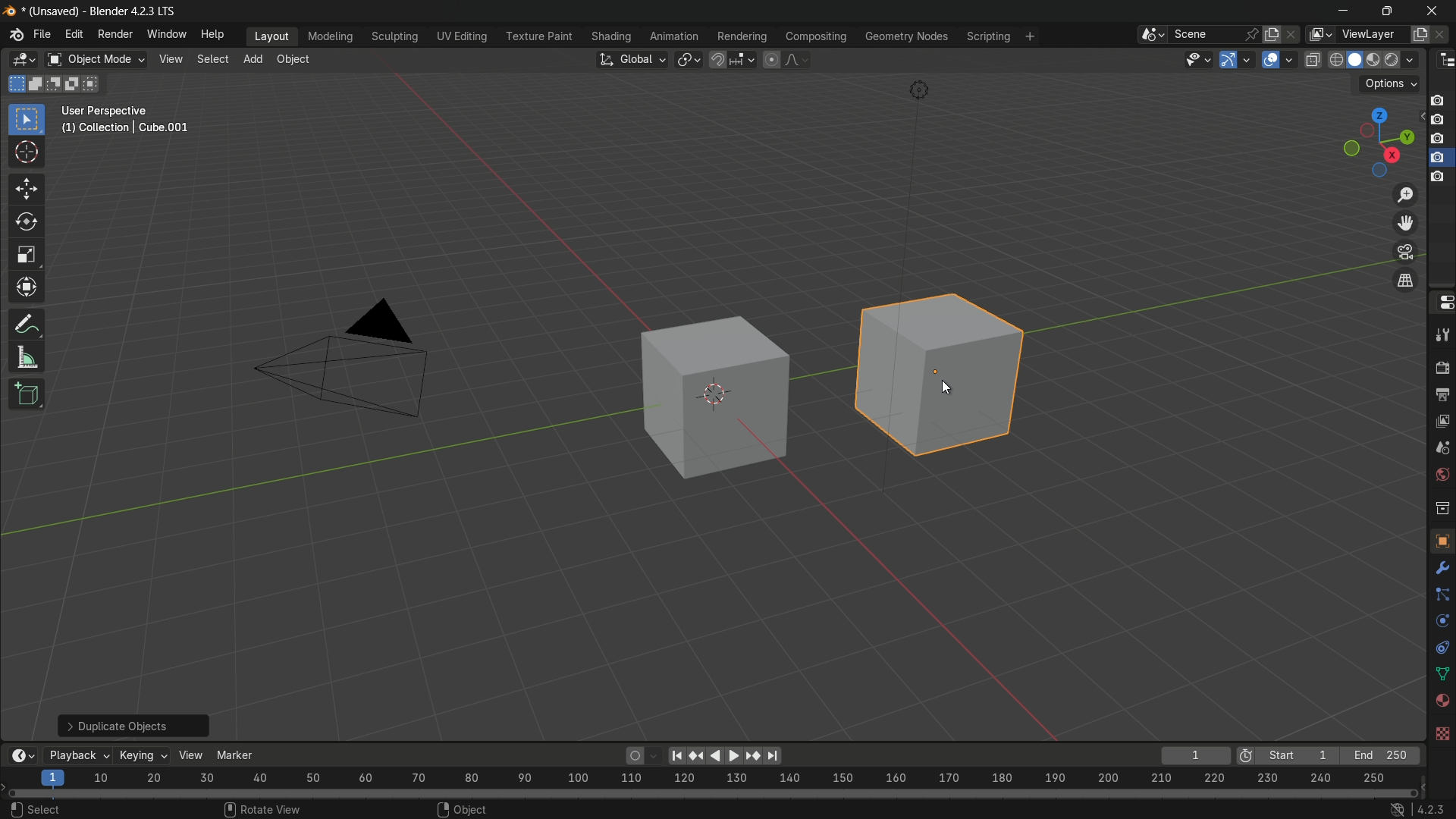 Image resolution: width=1456 pixels, height=819 pixels. Describe the element at coordinates (169, 60) in the screenshot. I see `view tab` at that location.